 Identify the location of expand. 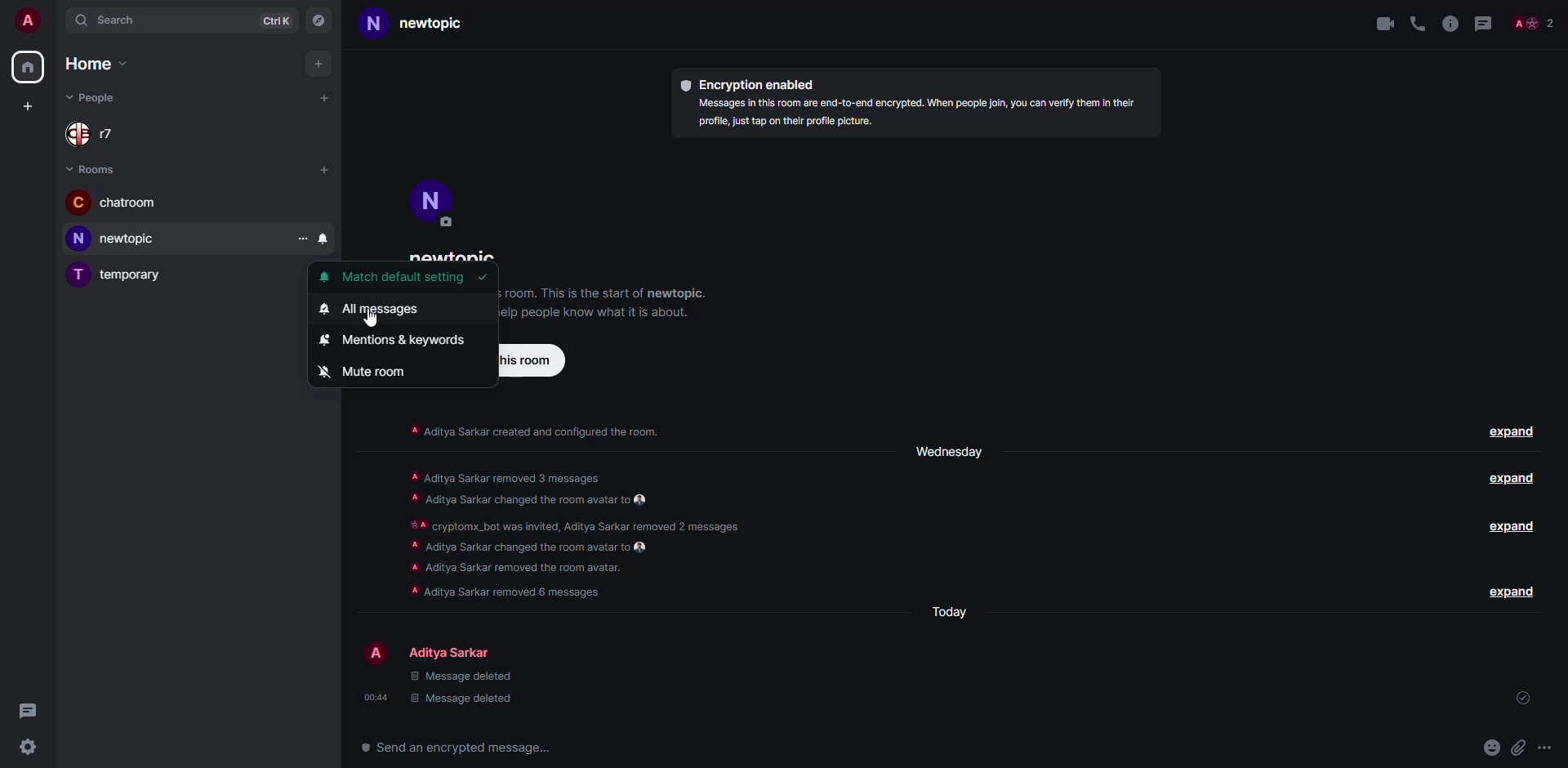
(1511, 592).